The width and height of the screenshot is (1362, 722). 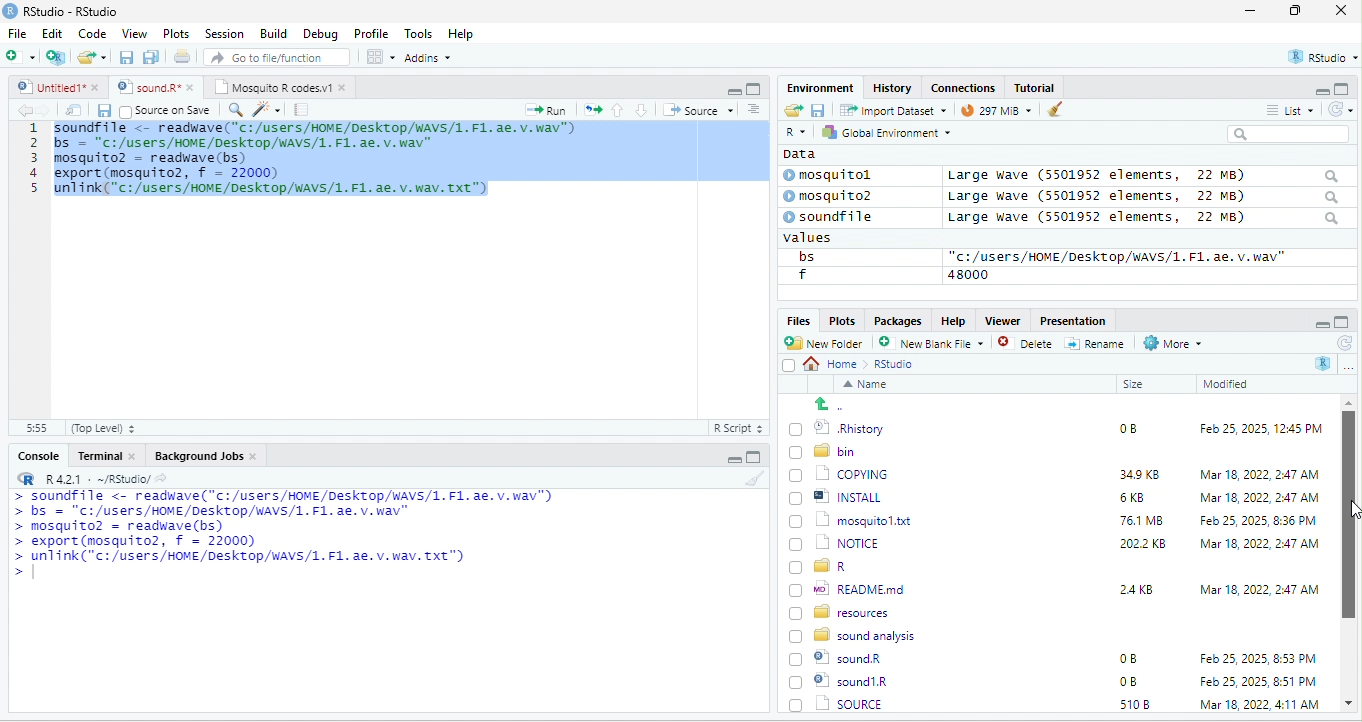 I want to click on Console, so click(x=37, y=454).